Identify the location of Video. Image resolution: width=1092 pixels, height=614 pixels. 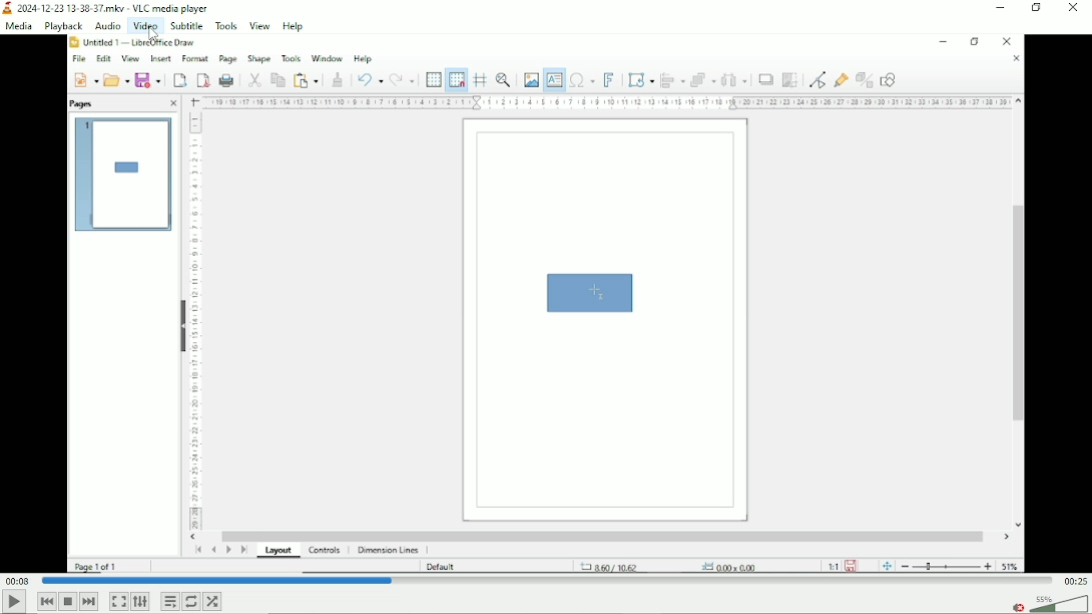
(546, 305).